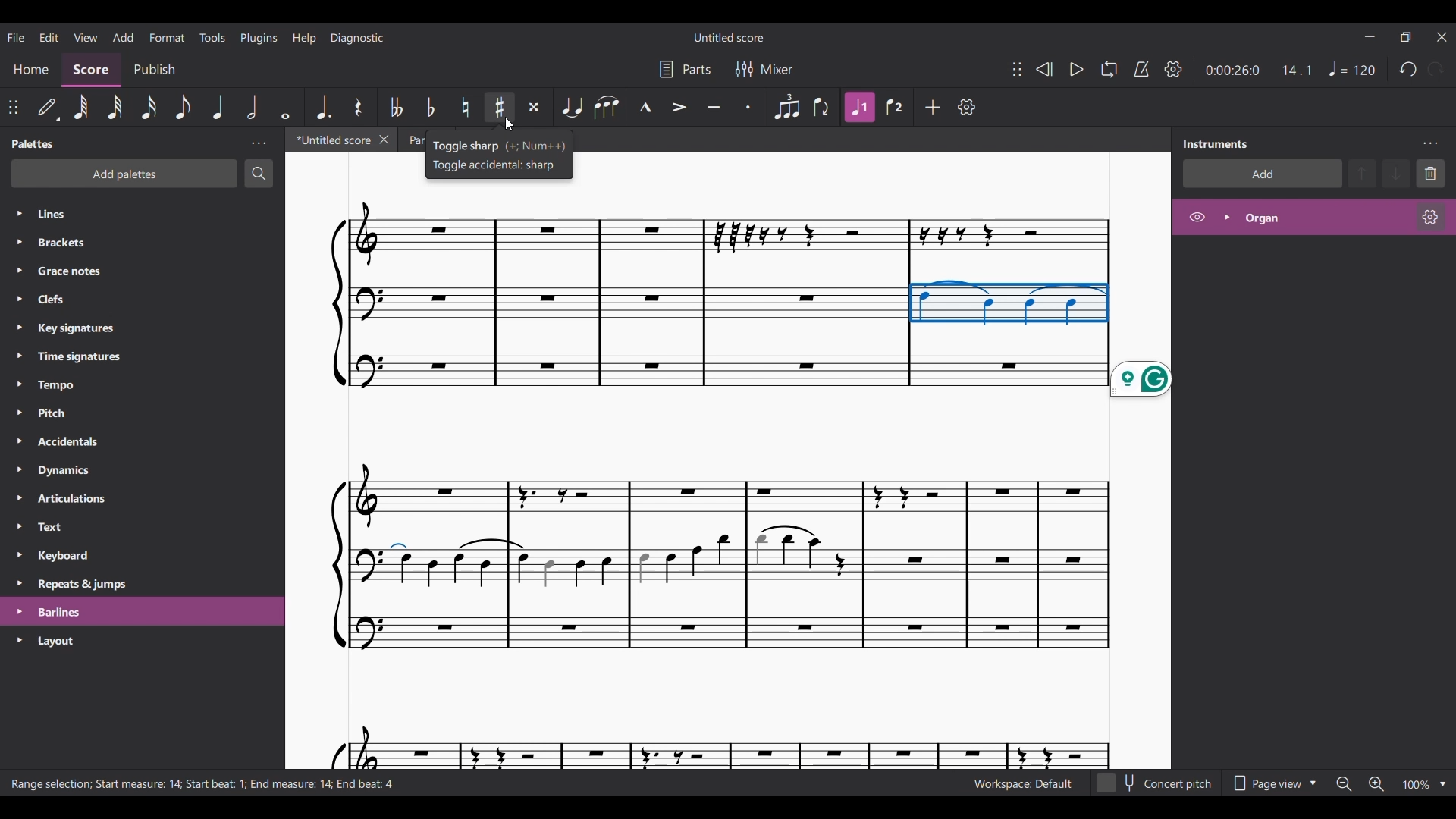 This screenshot has height=819, width=1456. I want to click on Palette panel settings, so click(259, 143).